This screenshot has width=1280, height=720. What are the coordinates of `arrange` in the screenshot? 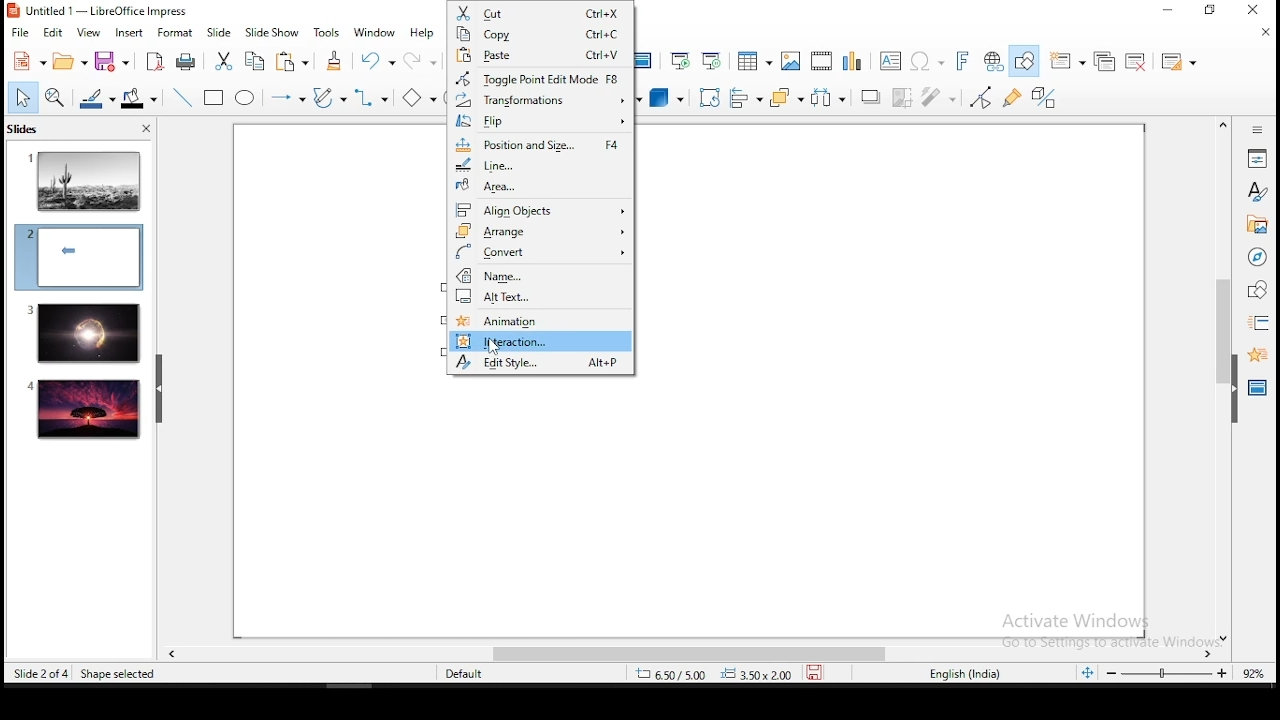 It's located at (785, 99).